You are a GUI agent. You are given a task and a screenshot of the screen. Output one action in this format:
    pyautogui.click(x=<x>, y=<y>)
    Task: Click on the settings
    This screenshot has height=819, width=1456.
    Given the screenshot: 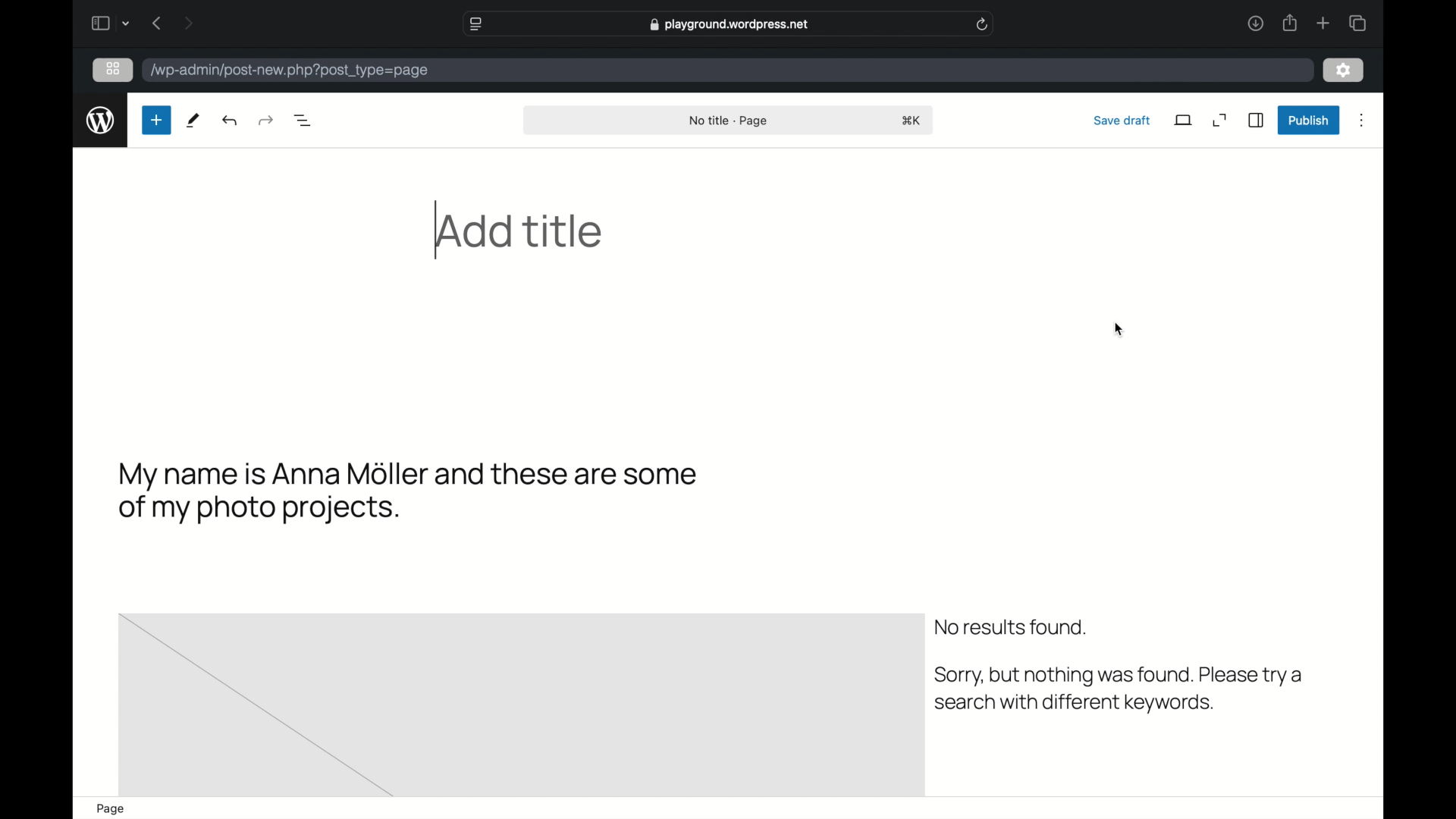 What is the action you would take?
    pyautogui.click(x=1344, y=71)
    